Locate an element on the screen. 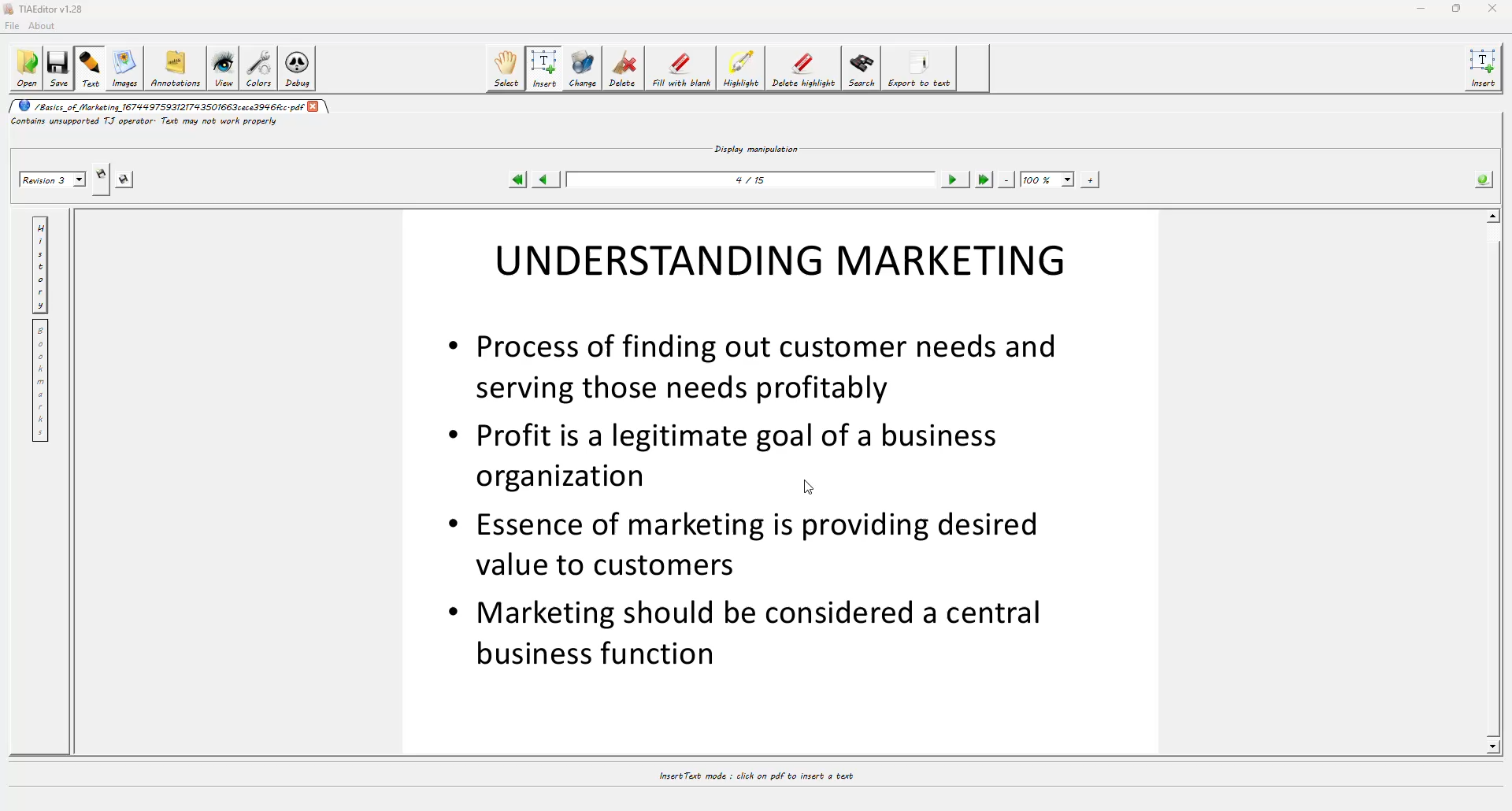 The width and height of the screenshot is (1512, 811). last page is located at coordinates (984, 180).